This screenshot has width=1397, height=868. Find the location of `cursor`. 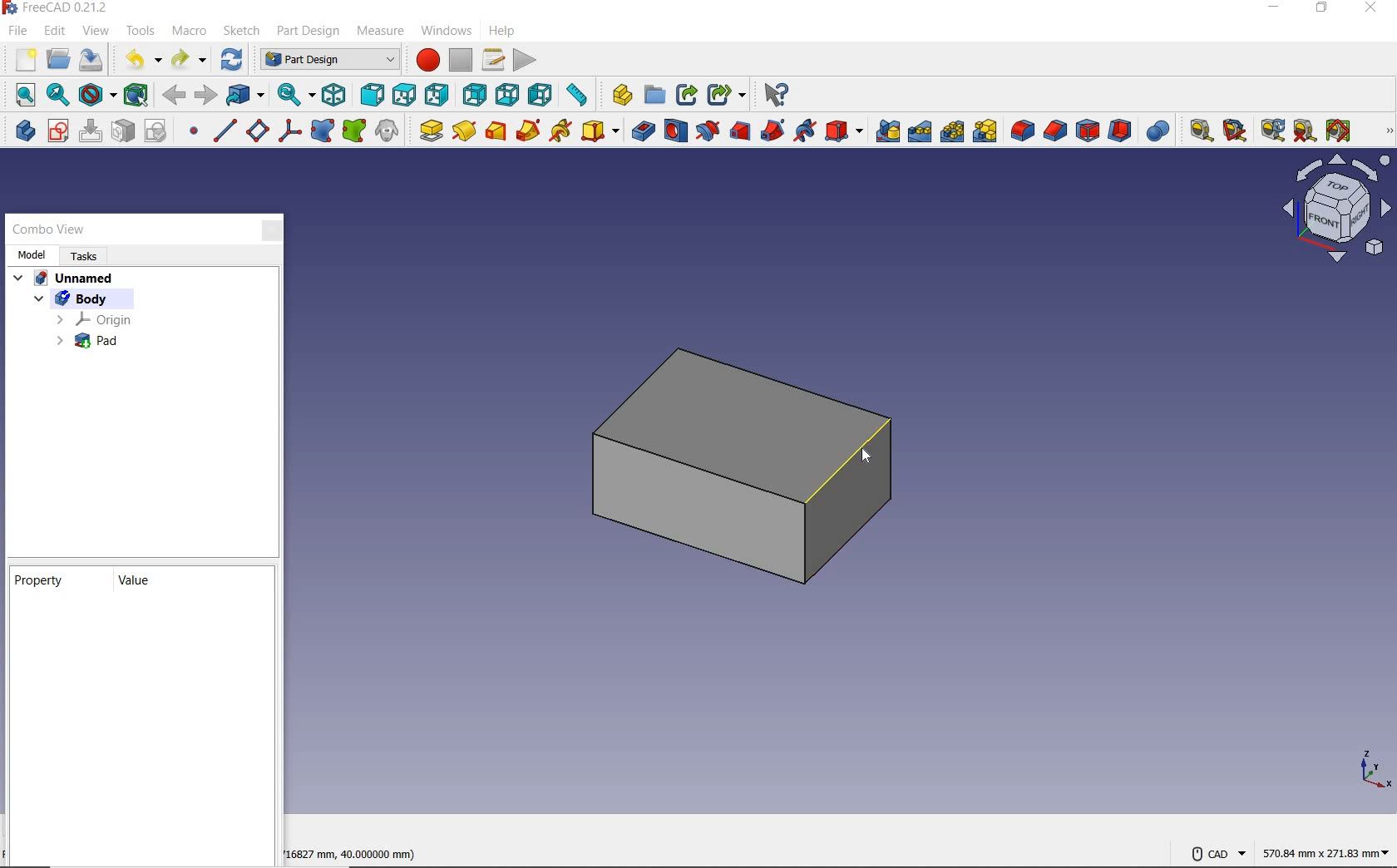

cursor is located at coordinates (862, 456).